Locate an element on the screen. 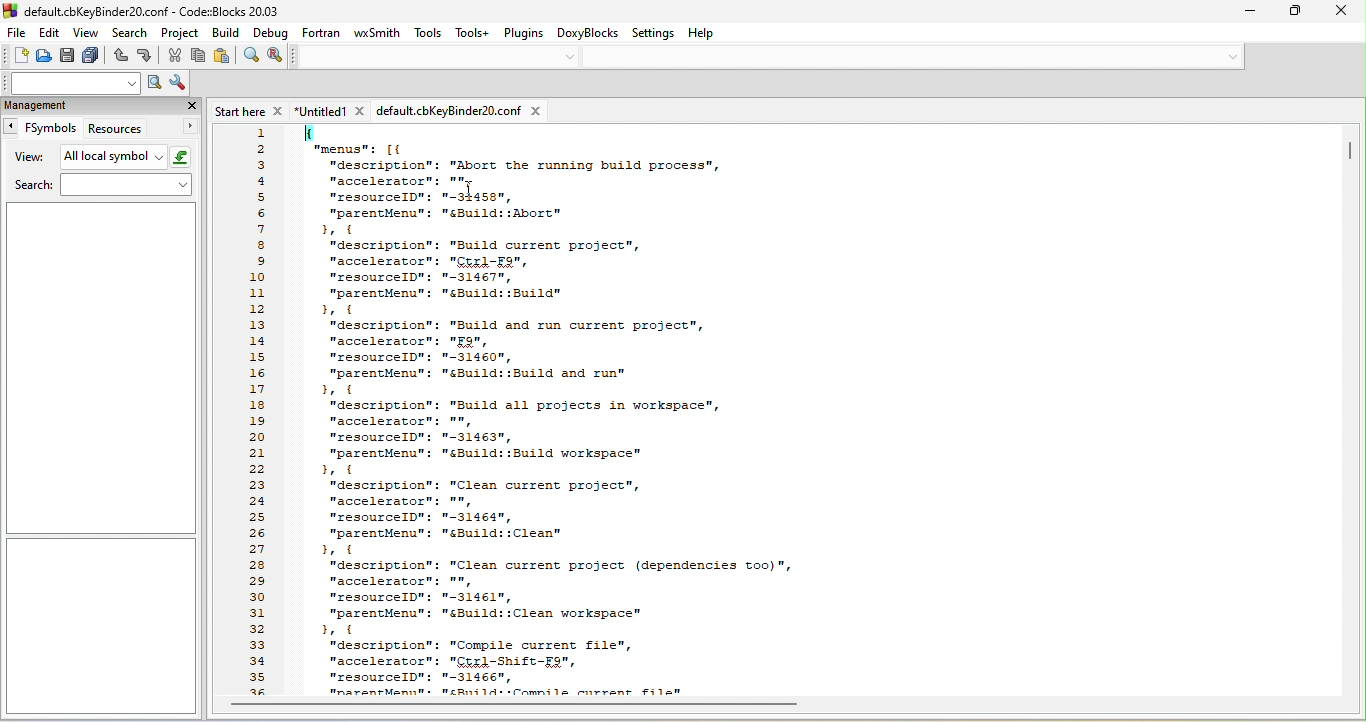 This screenshot has width=1366, height=722. copy is located at coordinates (200, 57).